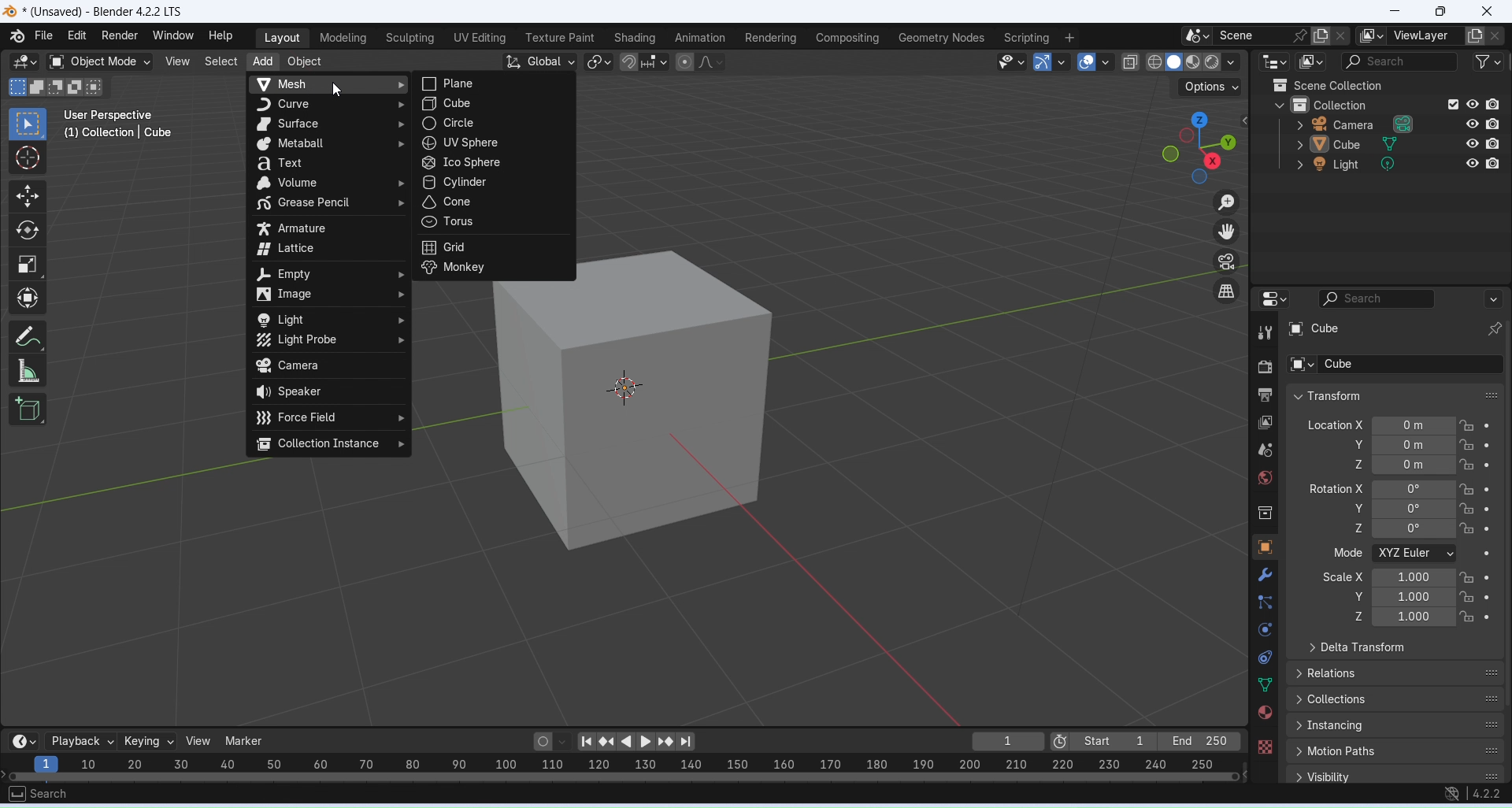  Describe the element at coordinates (1410, 298) in the screenshot. I see `Search` at that location.